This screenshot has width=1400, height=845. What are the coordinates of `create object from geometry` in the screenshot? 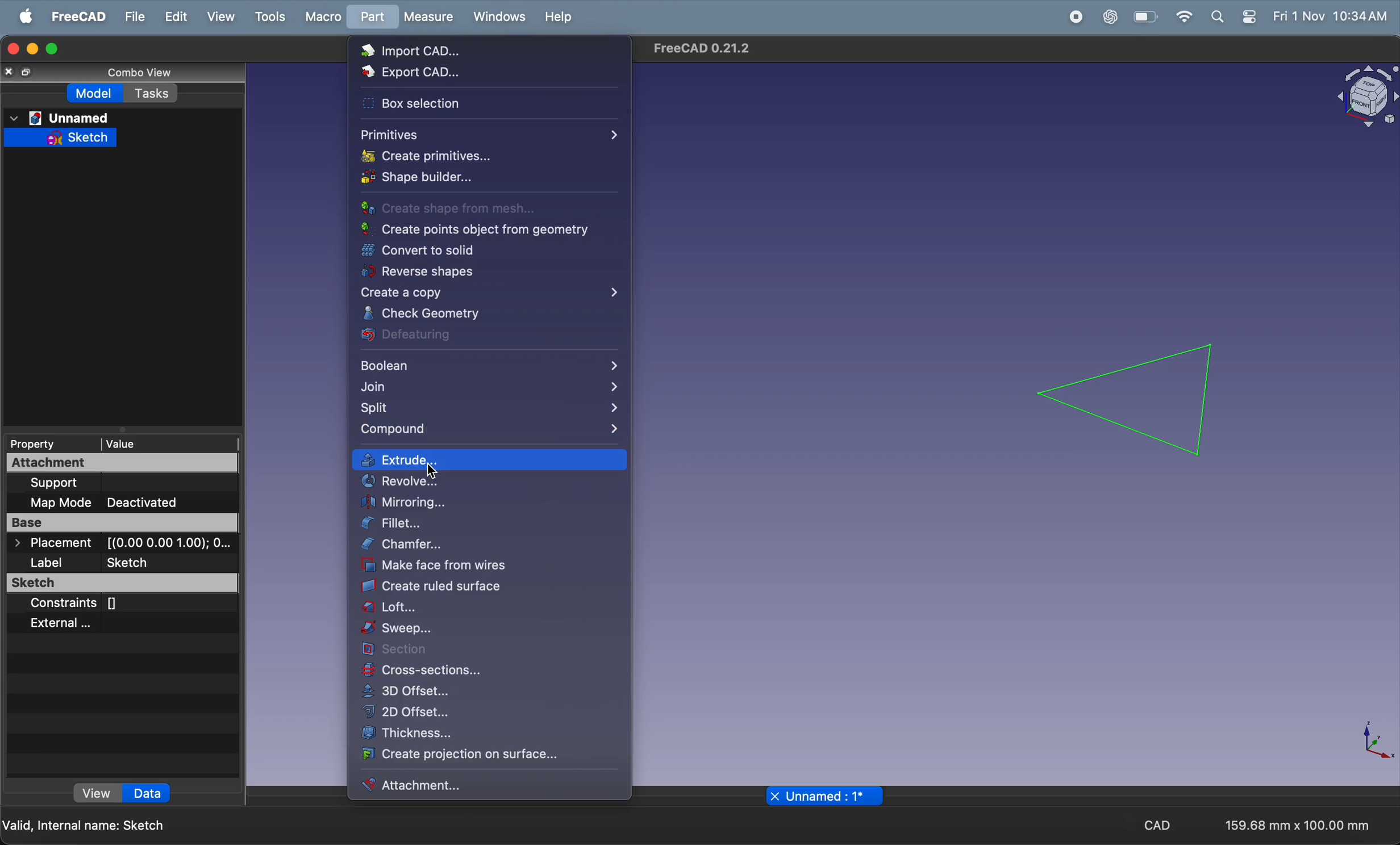 It's located at (482, 231).